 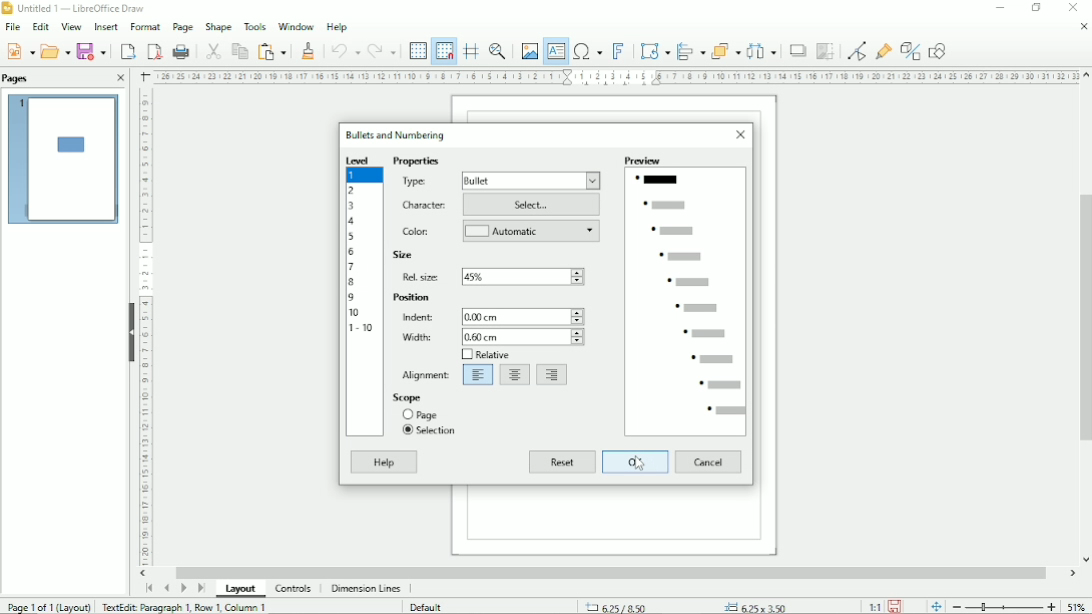 I want to click on Position, so click(x=412, y=298).